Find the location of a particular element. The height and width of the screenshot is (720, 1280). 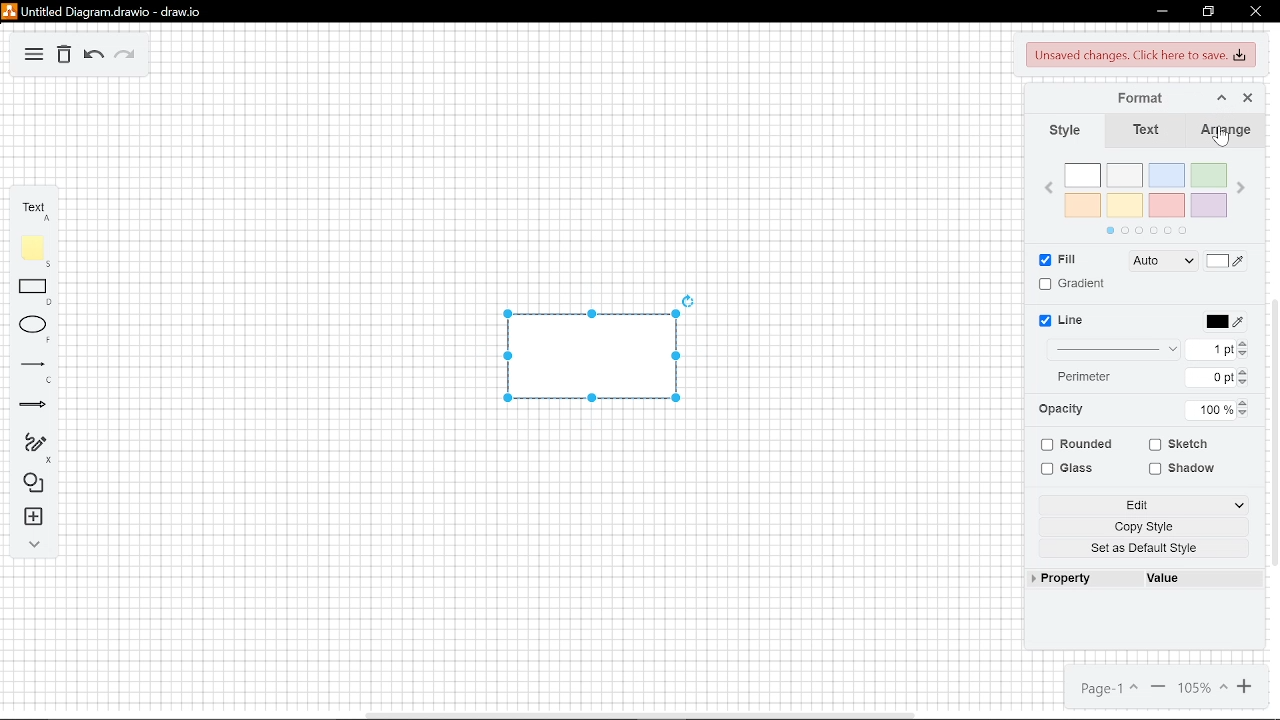

diagram is located at coordinates (36, 57).